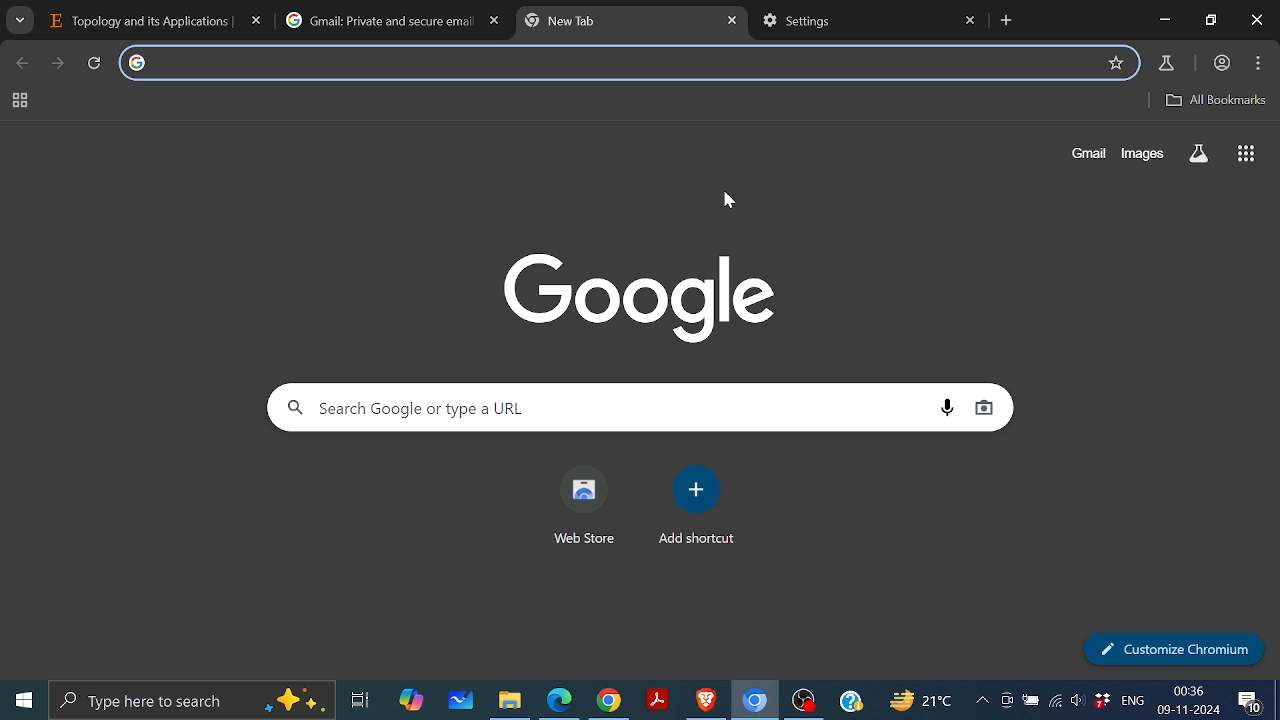  What do you see at coordinates (1172, 649) in the screenshot?
I see `Customize chromium` at bounding box center [1172, 649].